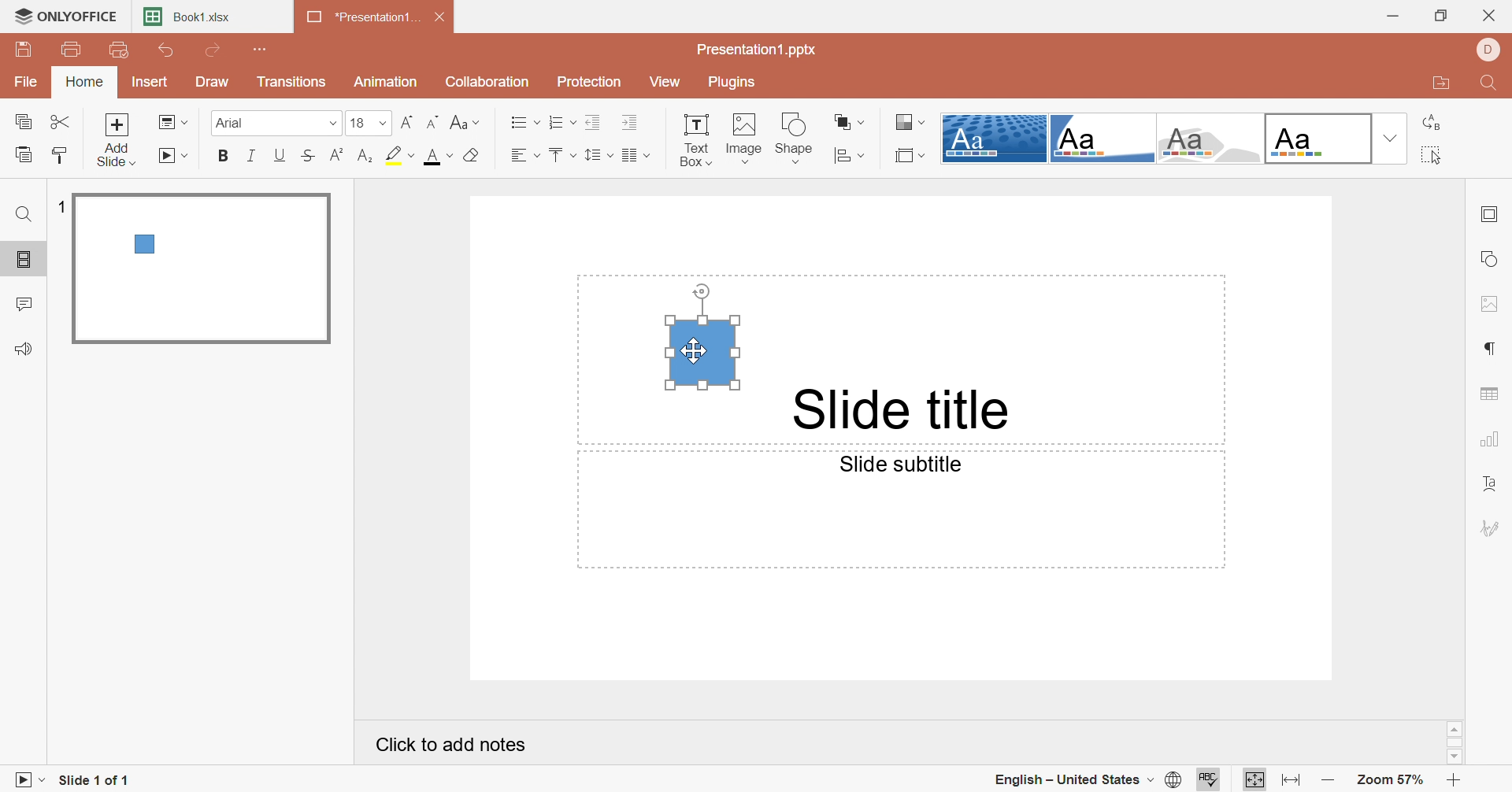 This screenshot has width=1512, height=792. I want to click on Cut, so click(62, 121).